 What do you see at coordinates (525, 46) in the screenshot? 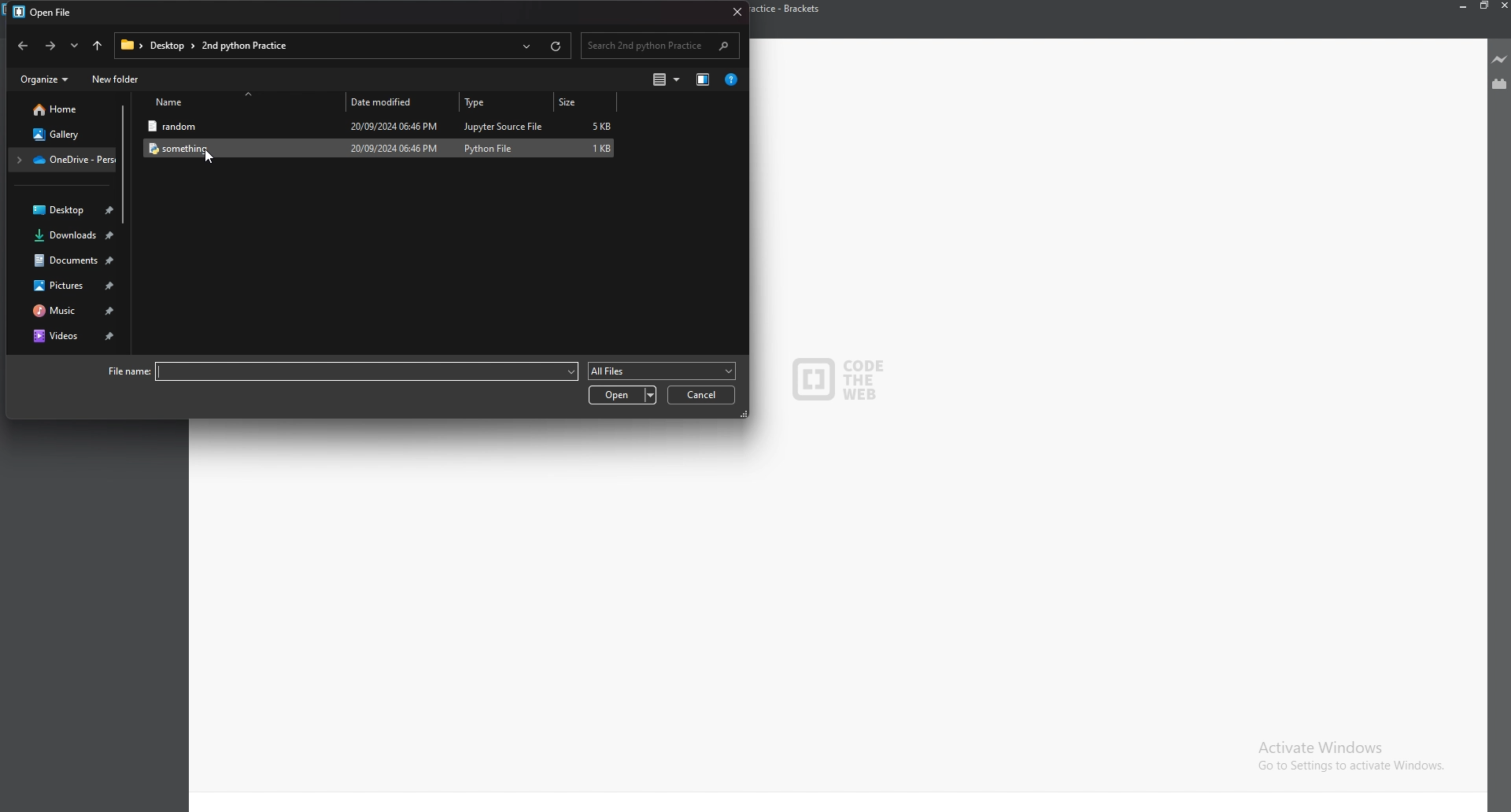
I see `recent` at bounding box center [525, 46].